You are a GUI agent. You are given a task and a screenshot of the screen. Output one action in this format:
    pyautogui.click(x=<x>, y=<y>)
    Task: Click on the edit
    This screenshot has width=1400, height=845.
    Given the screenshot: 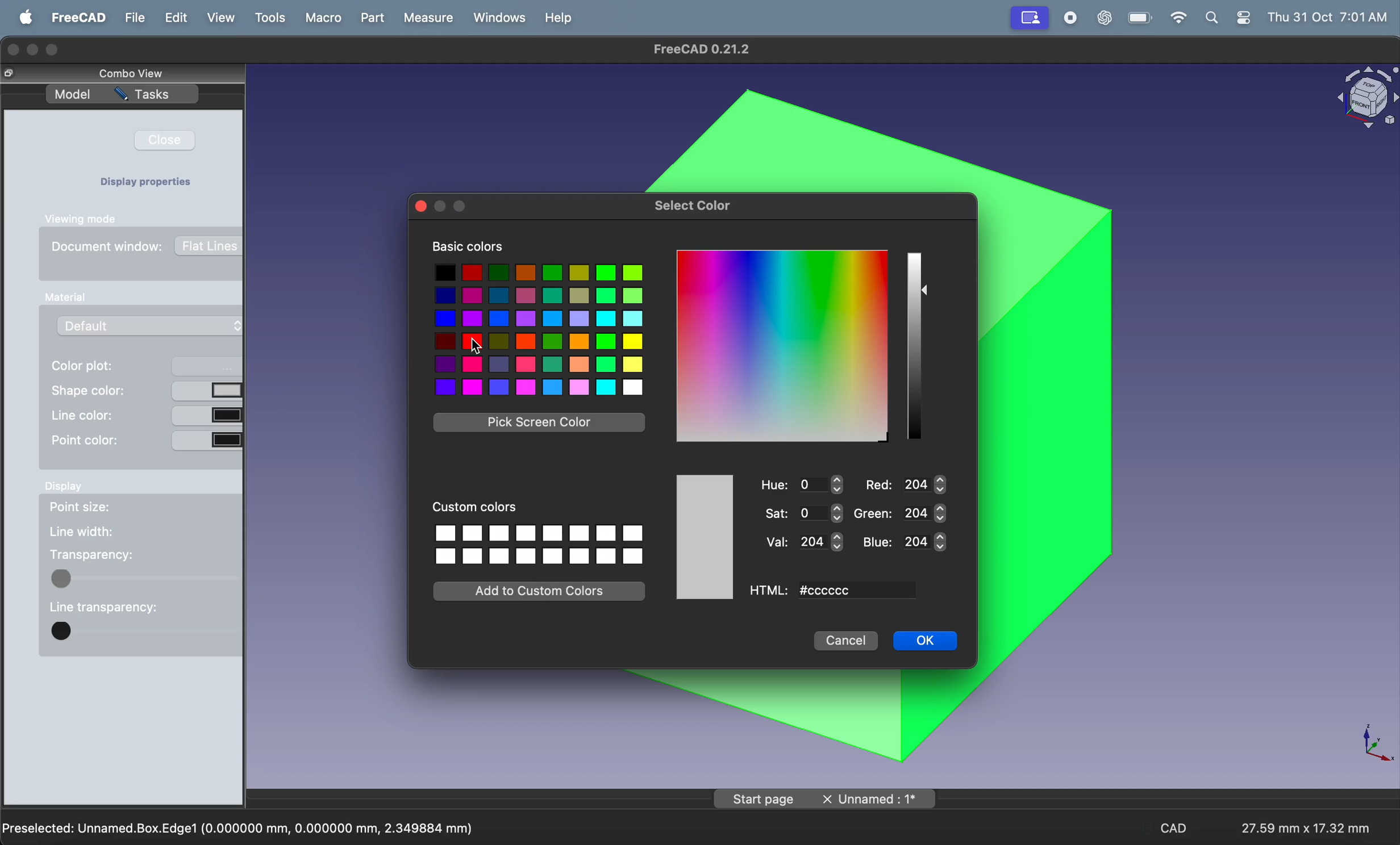 What is the action you would take?
    pyautogui.click(x=176, y=19)
    